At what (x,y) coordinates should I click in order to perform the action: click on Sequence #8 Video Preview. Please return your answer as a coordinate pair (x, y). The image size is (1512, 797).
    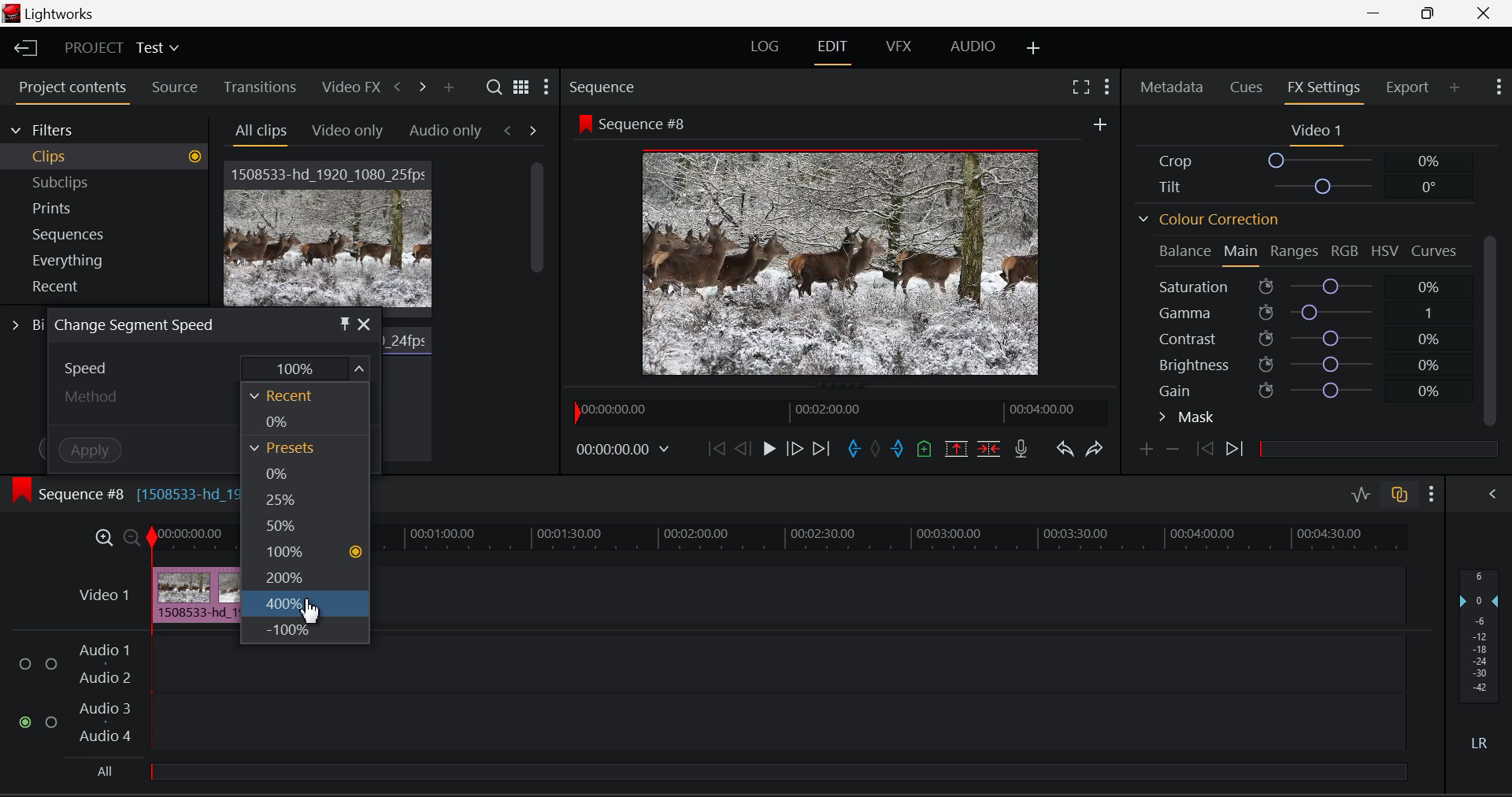
    Looking at the image, I should click on (840, 263).